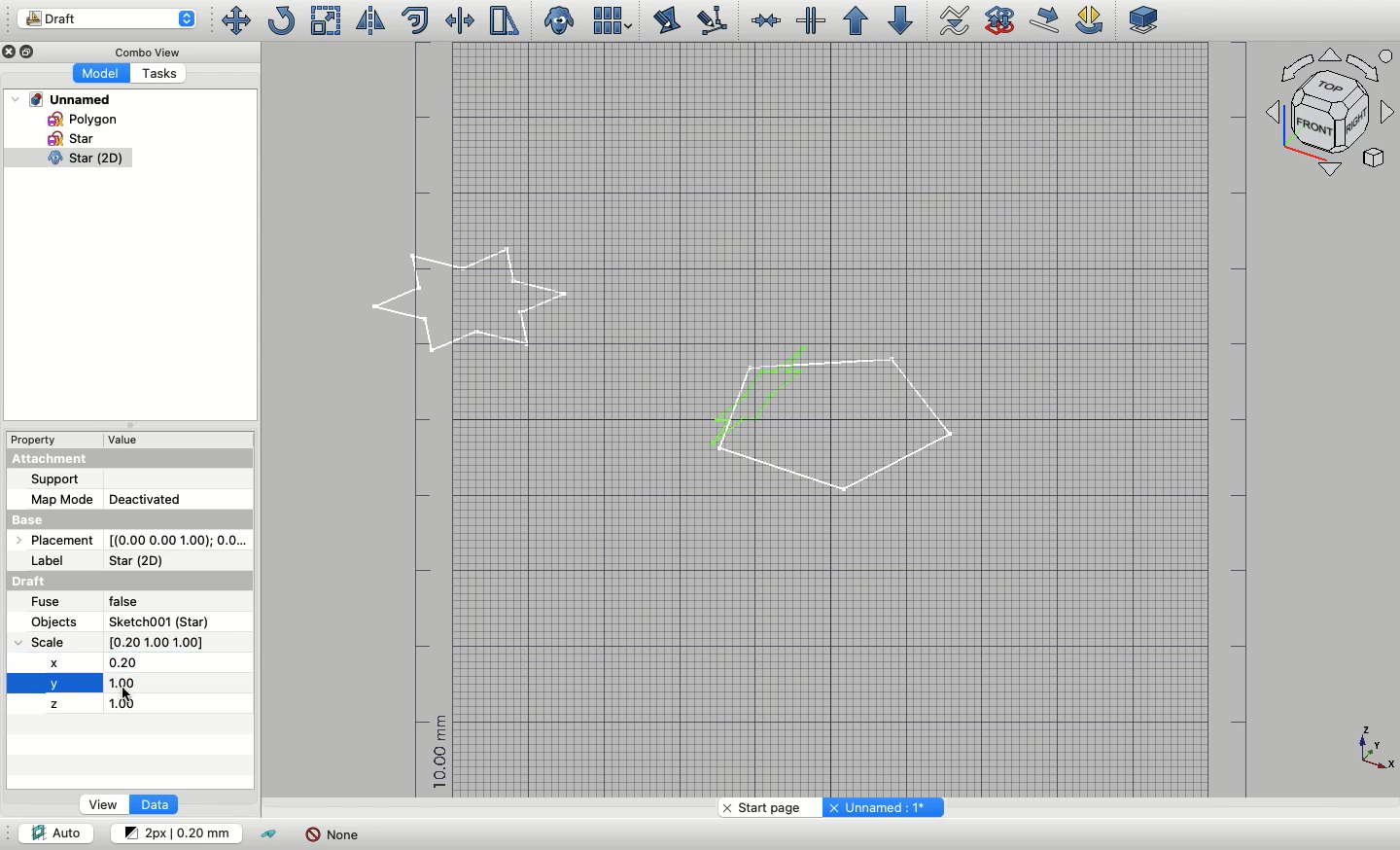  What do you see at coordinates (157, 73) in the screenshot?
I see `Tasks` at bounding box center [157, 73].